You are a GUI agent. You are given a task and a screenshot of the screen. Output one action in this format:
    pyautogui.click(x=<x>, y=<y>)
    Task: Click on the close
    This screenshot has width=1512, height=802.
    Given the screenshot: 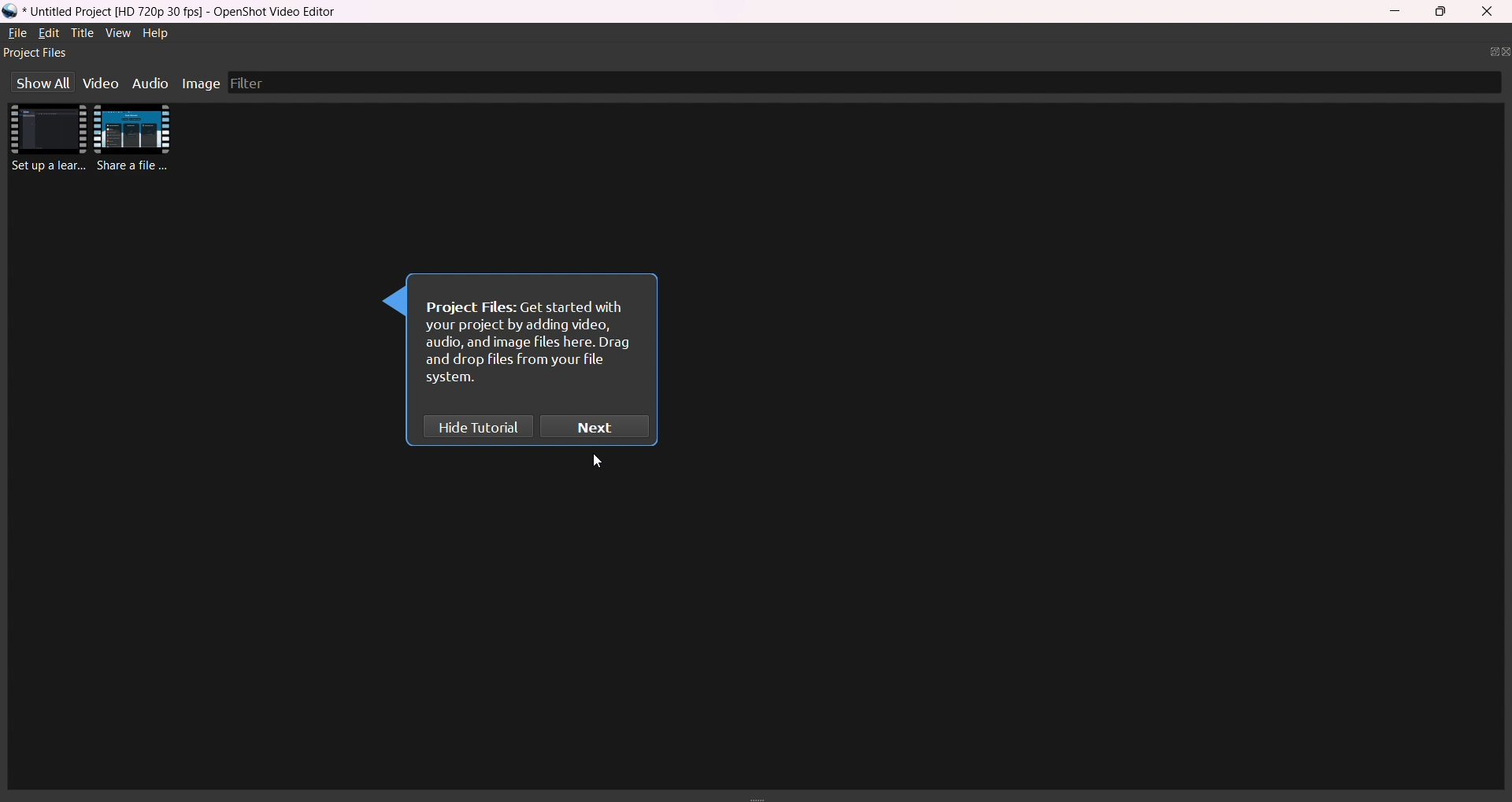 What is the action you would take?
    pyautogui.click(x=1506, y=51)
    